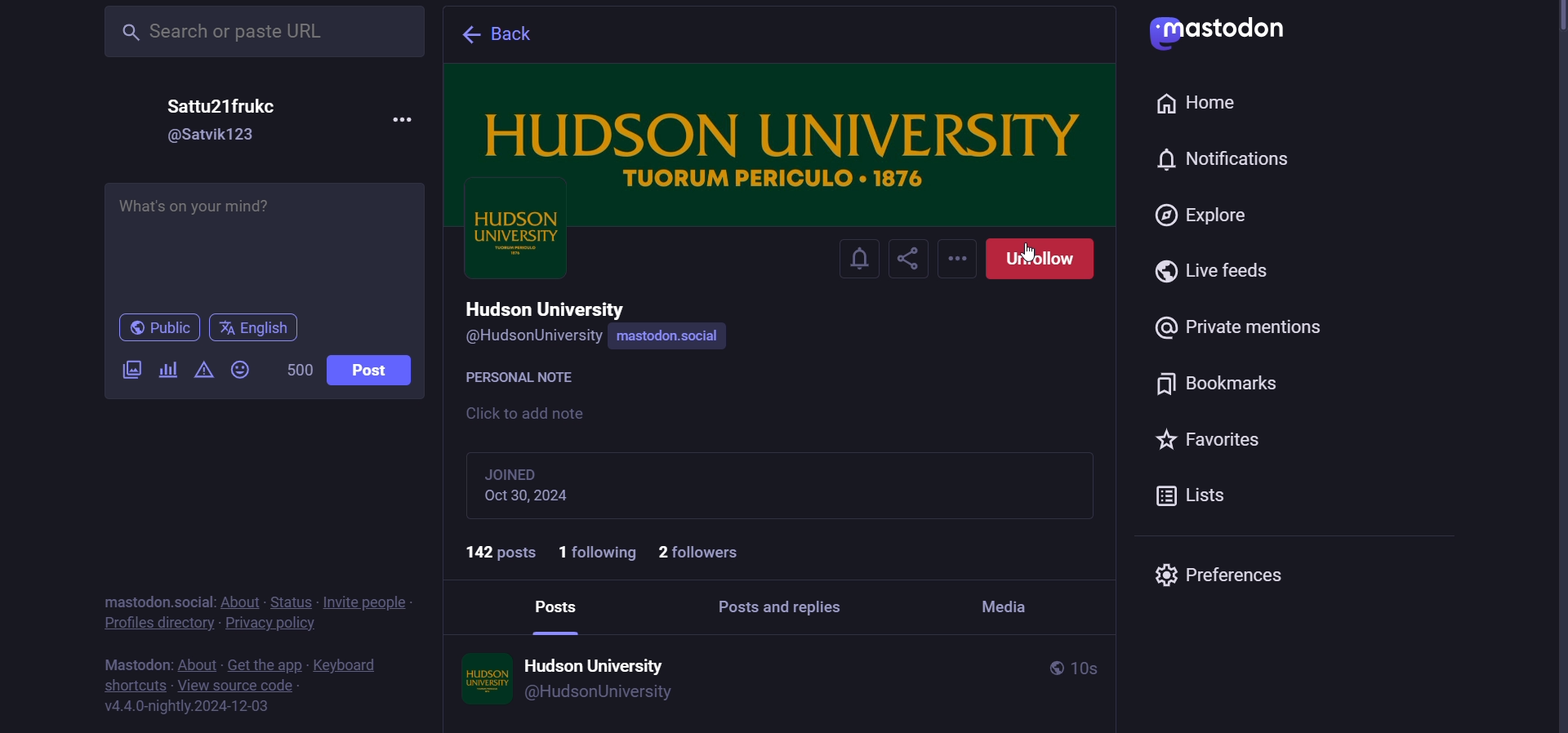 This screenshot has height=733, width=1568. Describe the element at coordinates (198, 665) in the screenshot. I see `about` at that location.